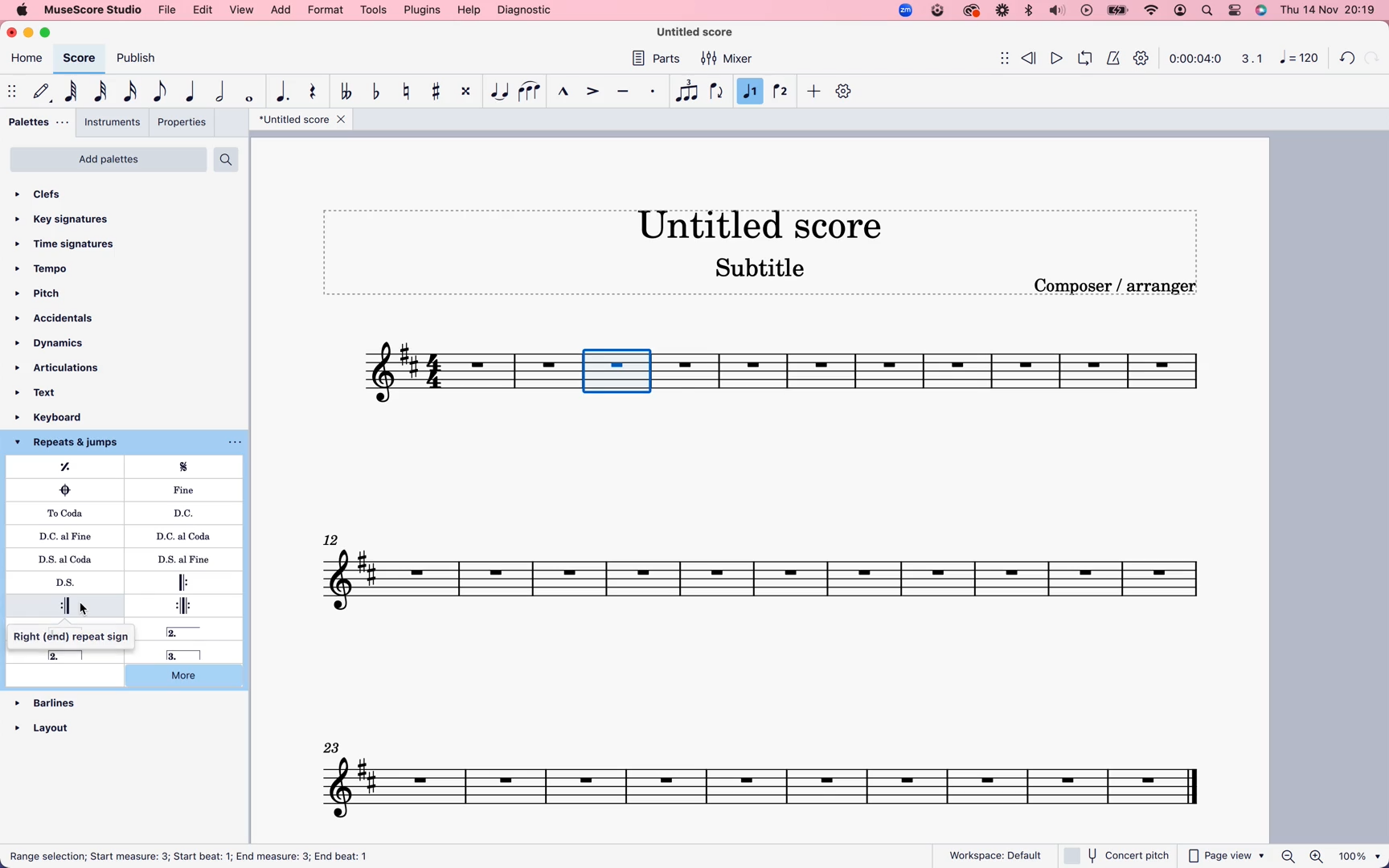  Describe the element at coordinates (1144, 60) in the screenshot. I see `settings` at that location.